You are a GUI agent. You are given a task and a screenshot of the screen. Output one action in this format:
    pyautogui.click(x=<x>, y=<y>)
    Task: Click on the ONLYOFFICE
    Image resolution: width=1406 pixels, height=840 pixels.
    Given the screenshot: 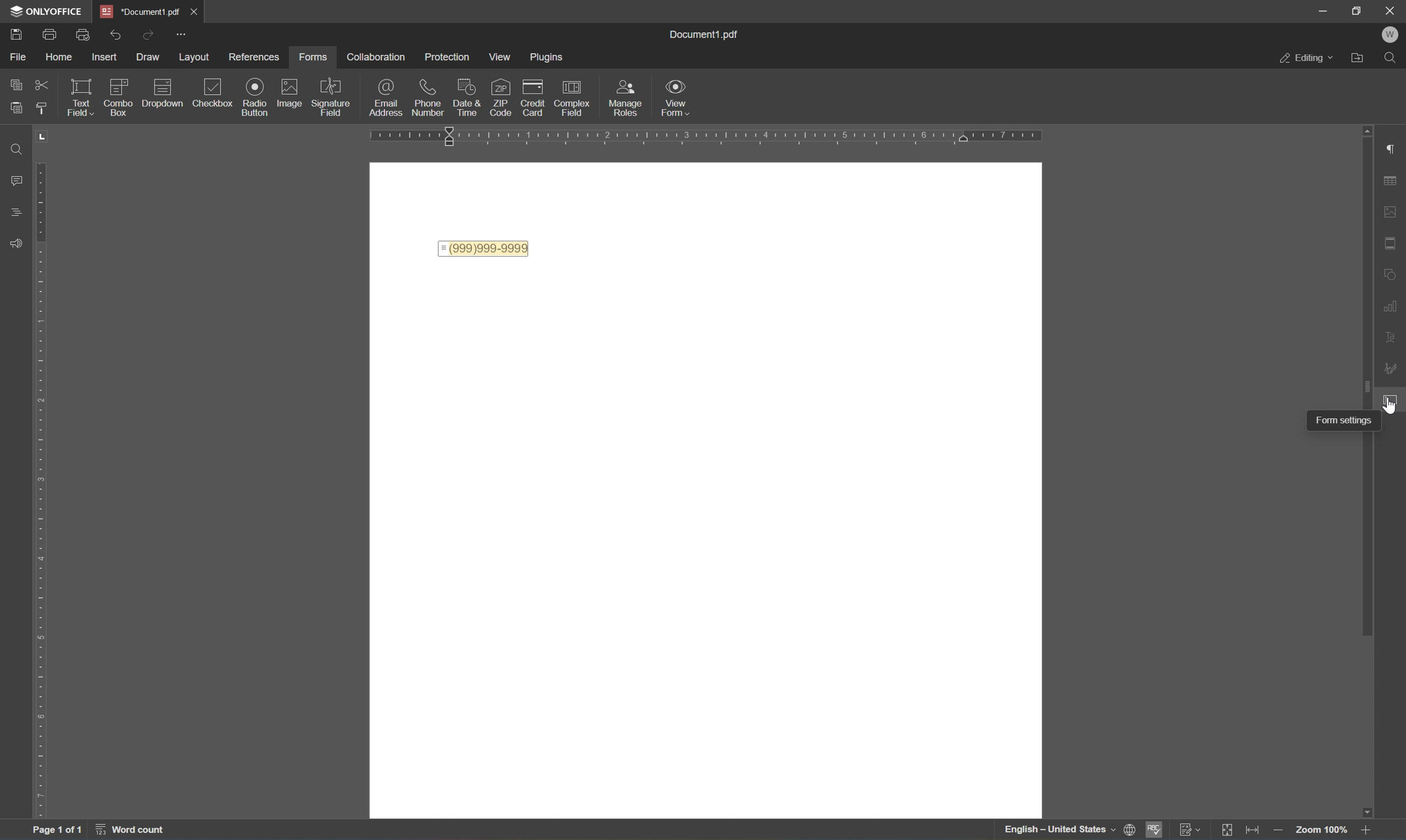 What is the action you would take?
    pyautogui.click(x=42, y=9)
    